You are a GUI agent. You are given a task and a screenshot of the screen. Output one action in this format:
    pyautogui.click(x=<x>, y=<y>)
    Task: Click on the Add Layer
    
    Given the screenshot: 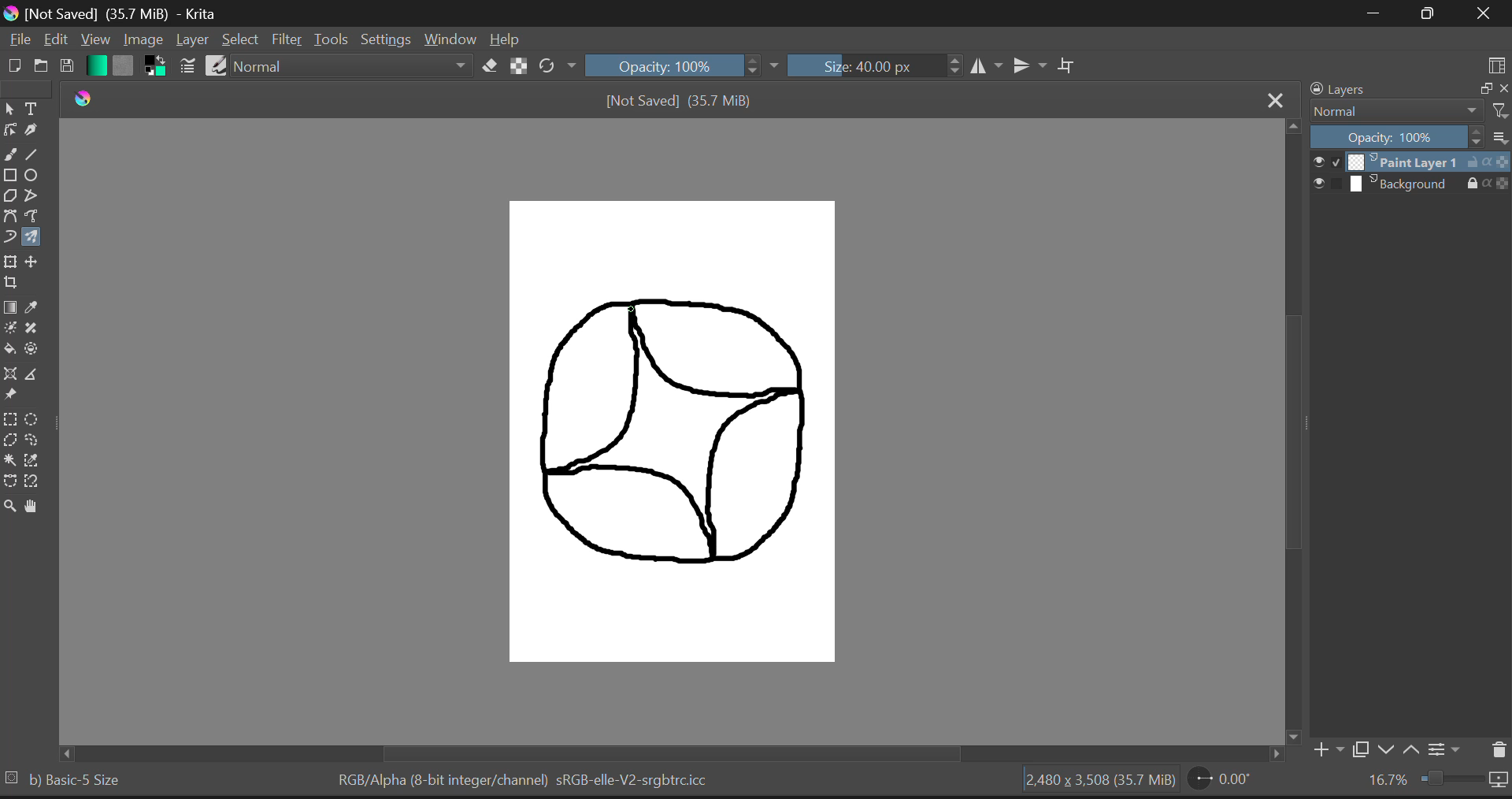 What is the action you would take?
    pyautogui.click(x=1327, y=749)
    